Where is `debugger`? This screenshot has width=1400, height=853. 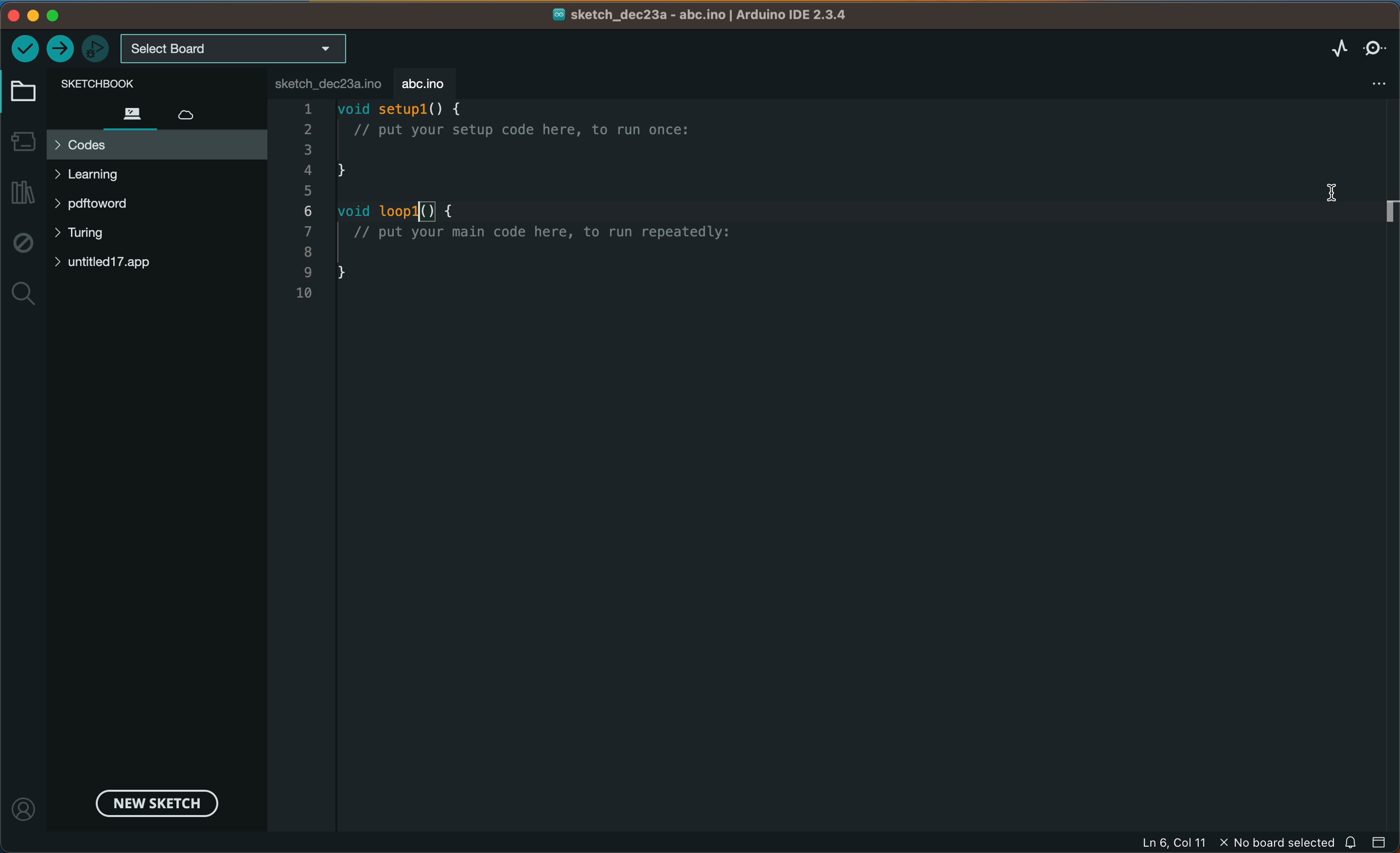 debugger is located at coordinates (95, 48).